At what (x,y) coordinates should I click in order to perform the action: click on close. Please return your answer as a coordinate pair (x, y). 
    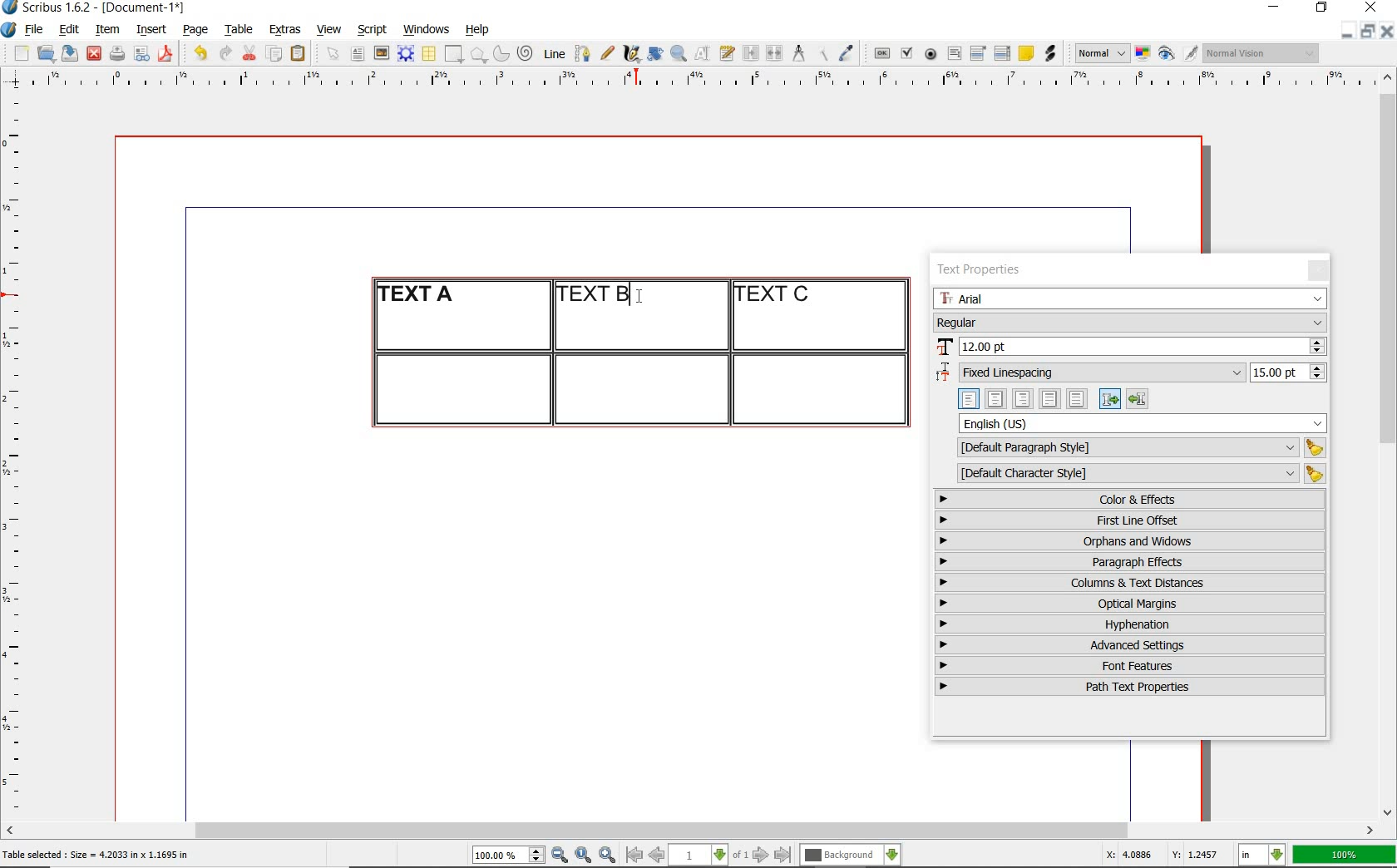
    Looking at the image, I should click on (1387, 31).